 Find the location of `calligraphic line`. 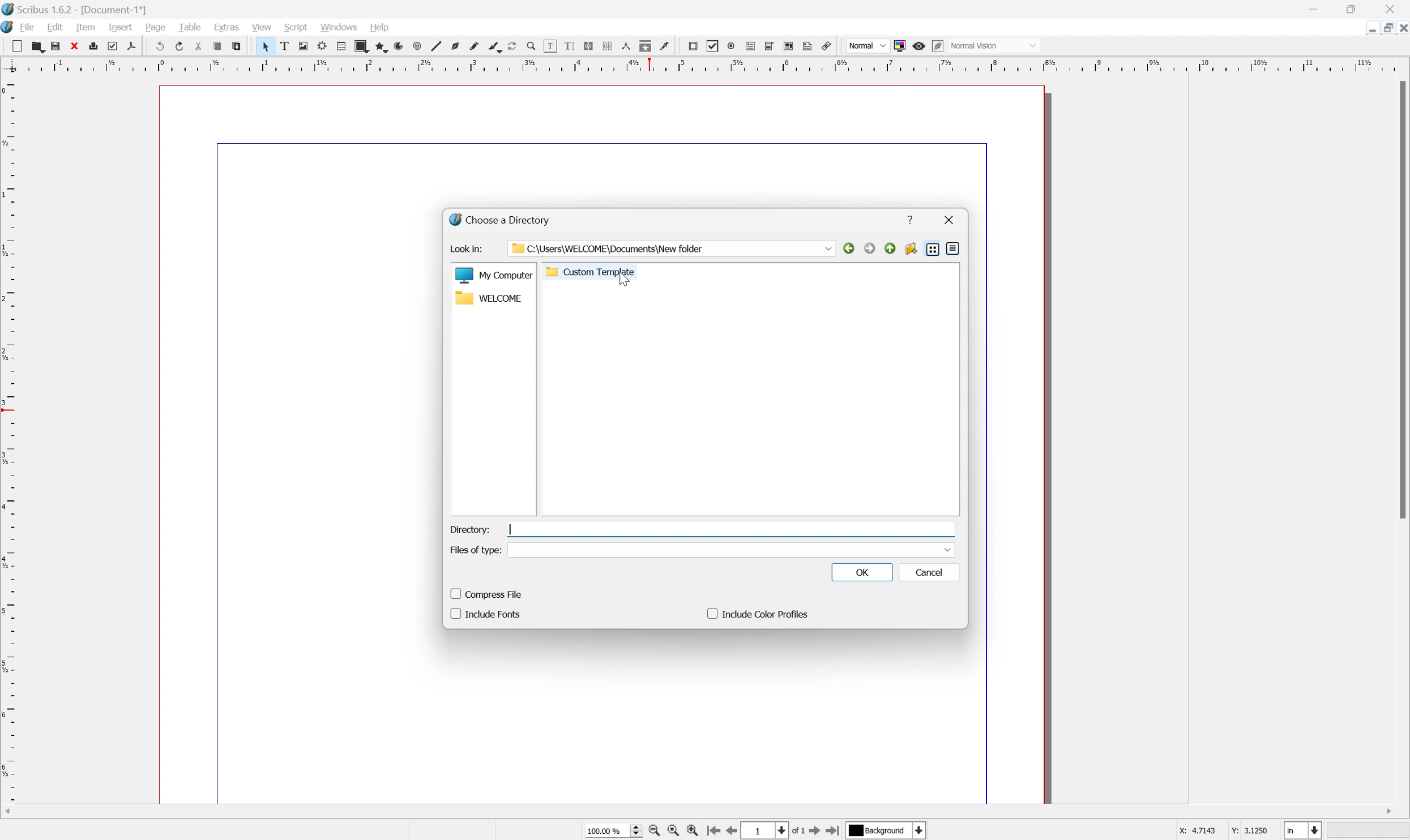

calligraphic line is located at coordinates (498, 47).